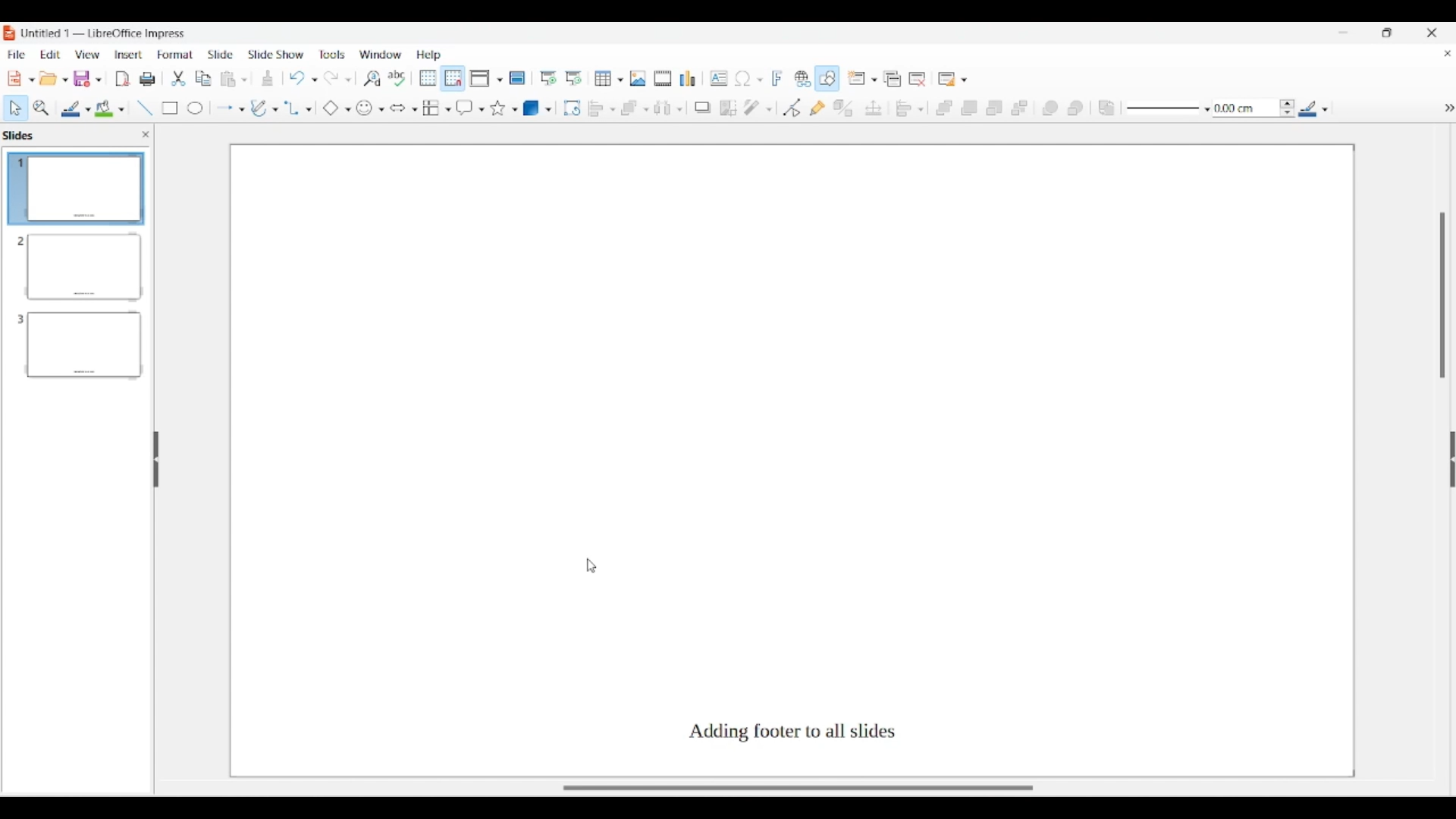 This screenshot has height=819, width=1456. I want to click on Insert menu, so click(128, 55).